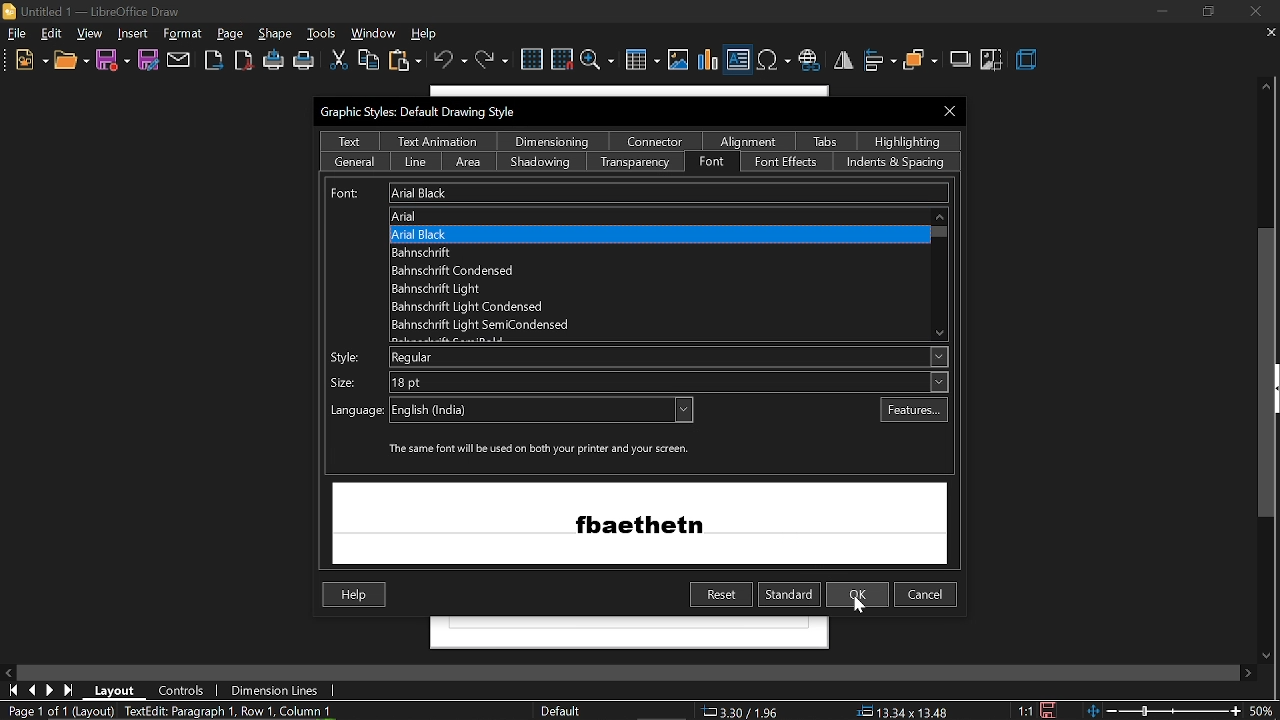 This screenshot has height=720, width=1280. I want to click on vertical scrollbar, so click(1267, 375).